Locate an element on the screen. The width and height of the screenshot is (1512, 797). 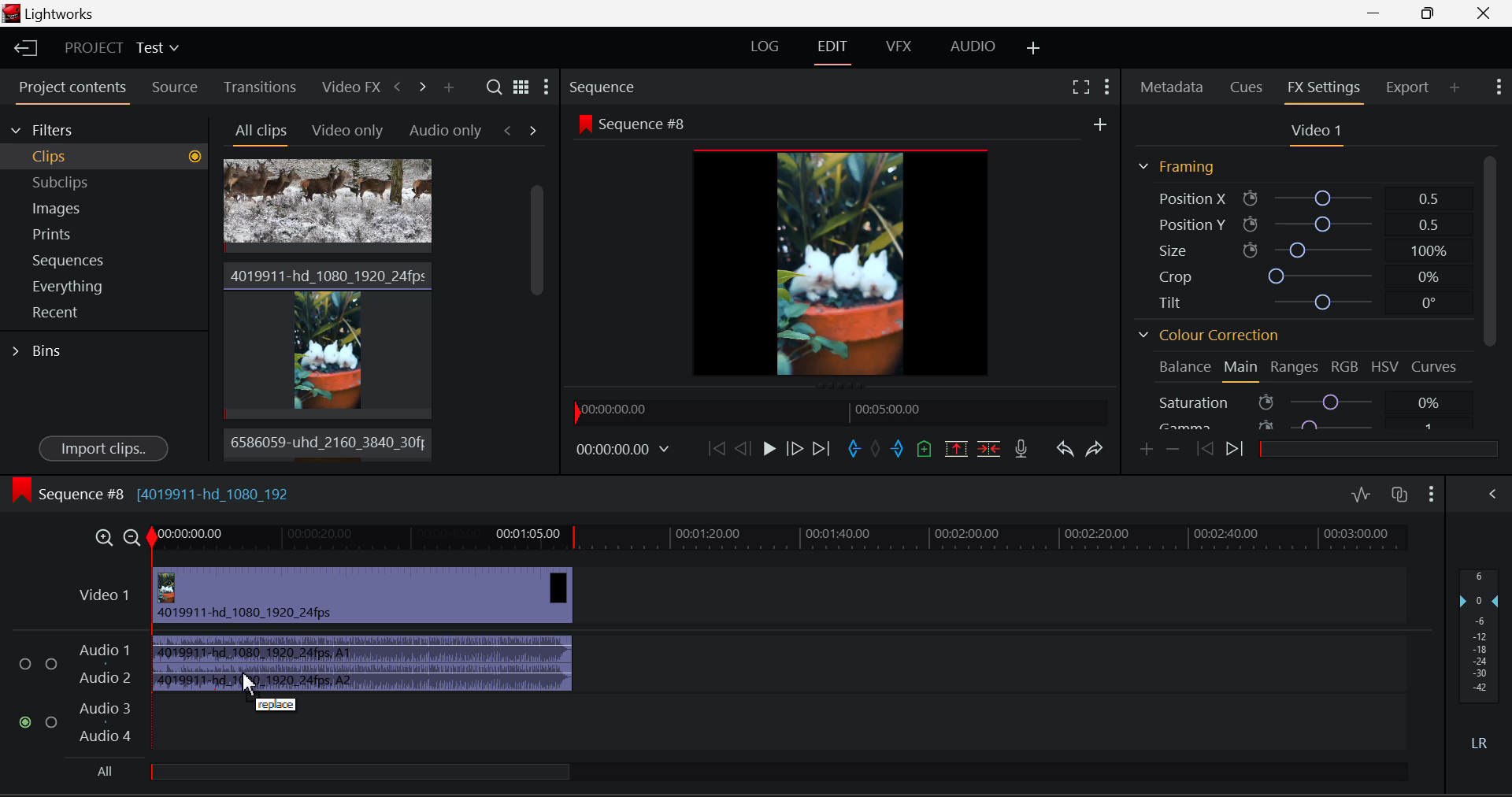
Audio Input Fields is located at coordinates (74, 695).